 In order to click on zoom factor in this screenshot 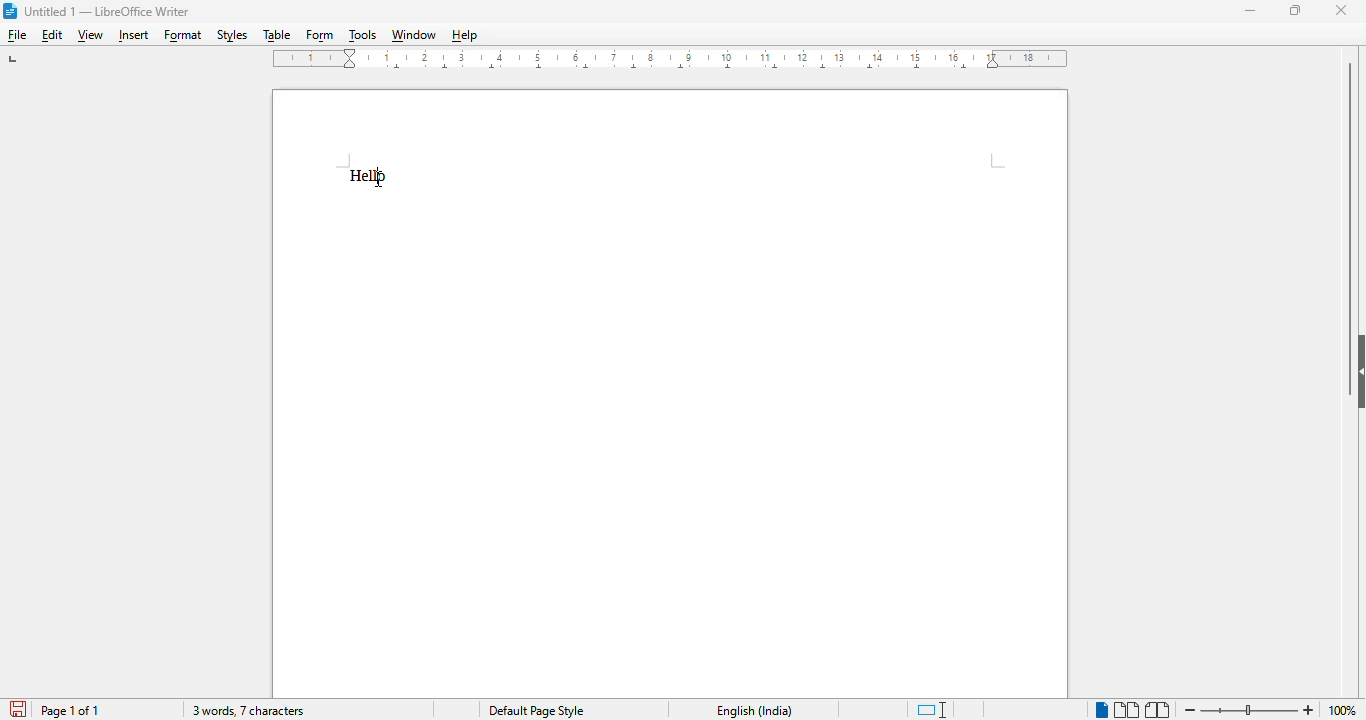, I will do `click(1342, 710)`.